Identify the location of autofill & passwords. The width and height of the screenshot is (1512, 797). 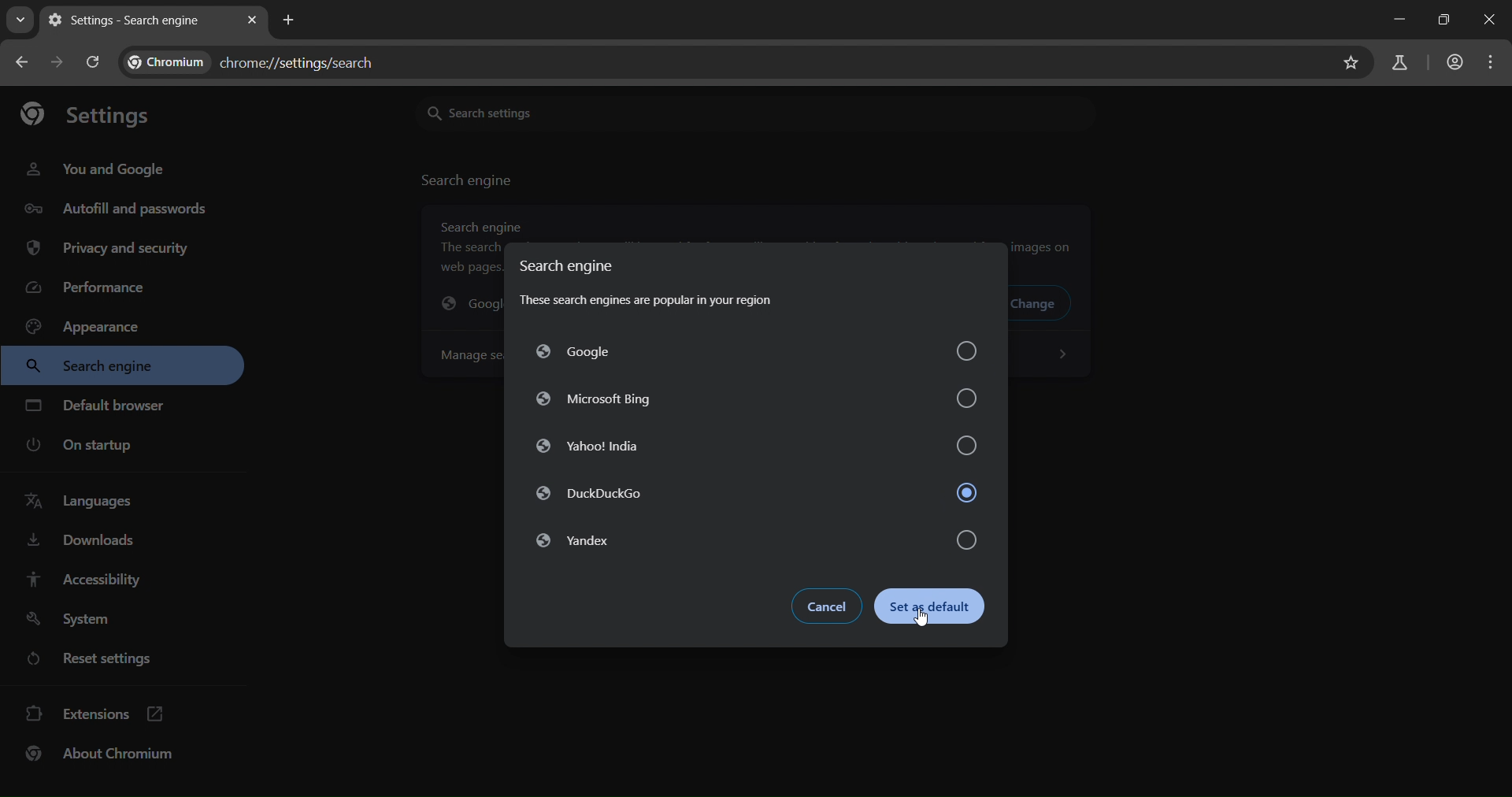
(113, 207).